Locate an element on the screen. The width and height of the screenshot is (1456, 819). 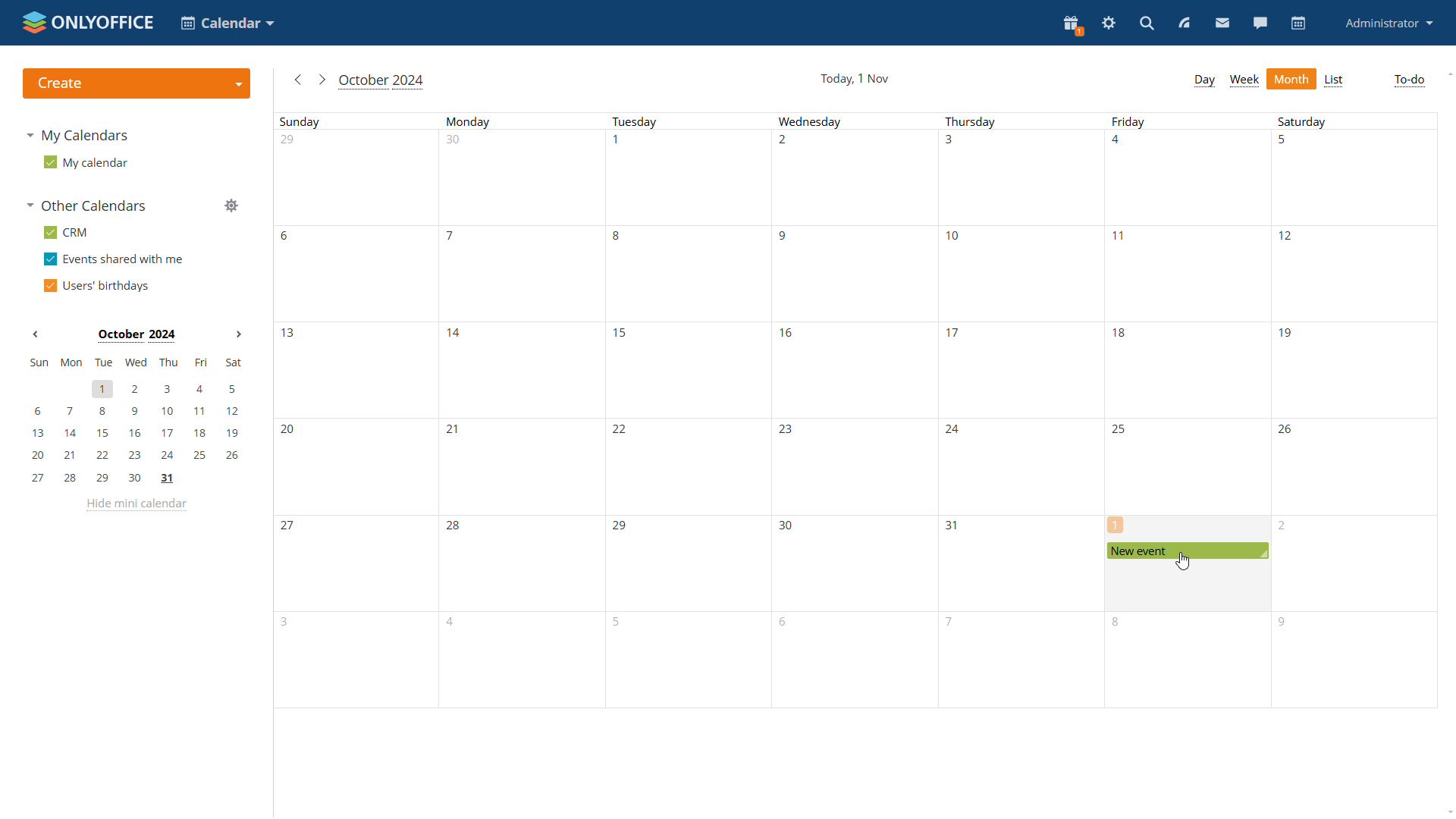
Thursday is located at coordinates (1021, 411).